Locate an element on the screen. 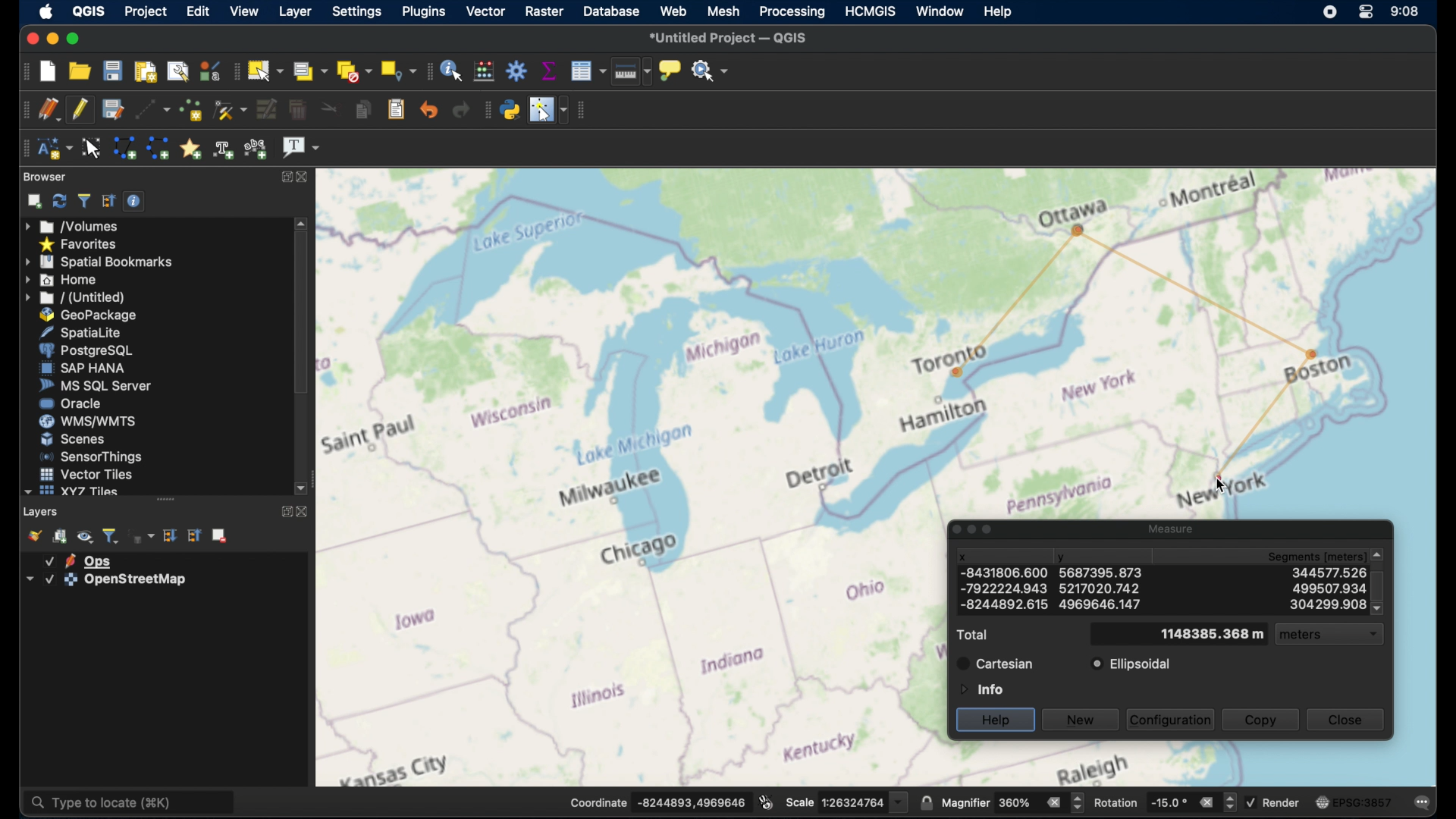 Image resolution: width=1456 pixels, height=819 pixels. toggle extents and mouse position display is located at coordinates (766, 801).